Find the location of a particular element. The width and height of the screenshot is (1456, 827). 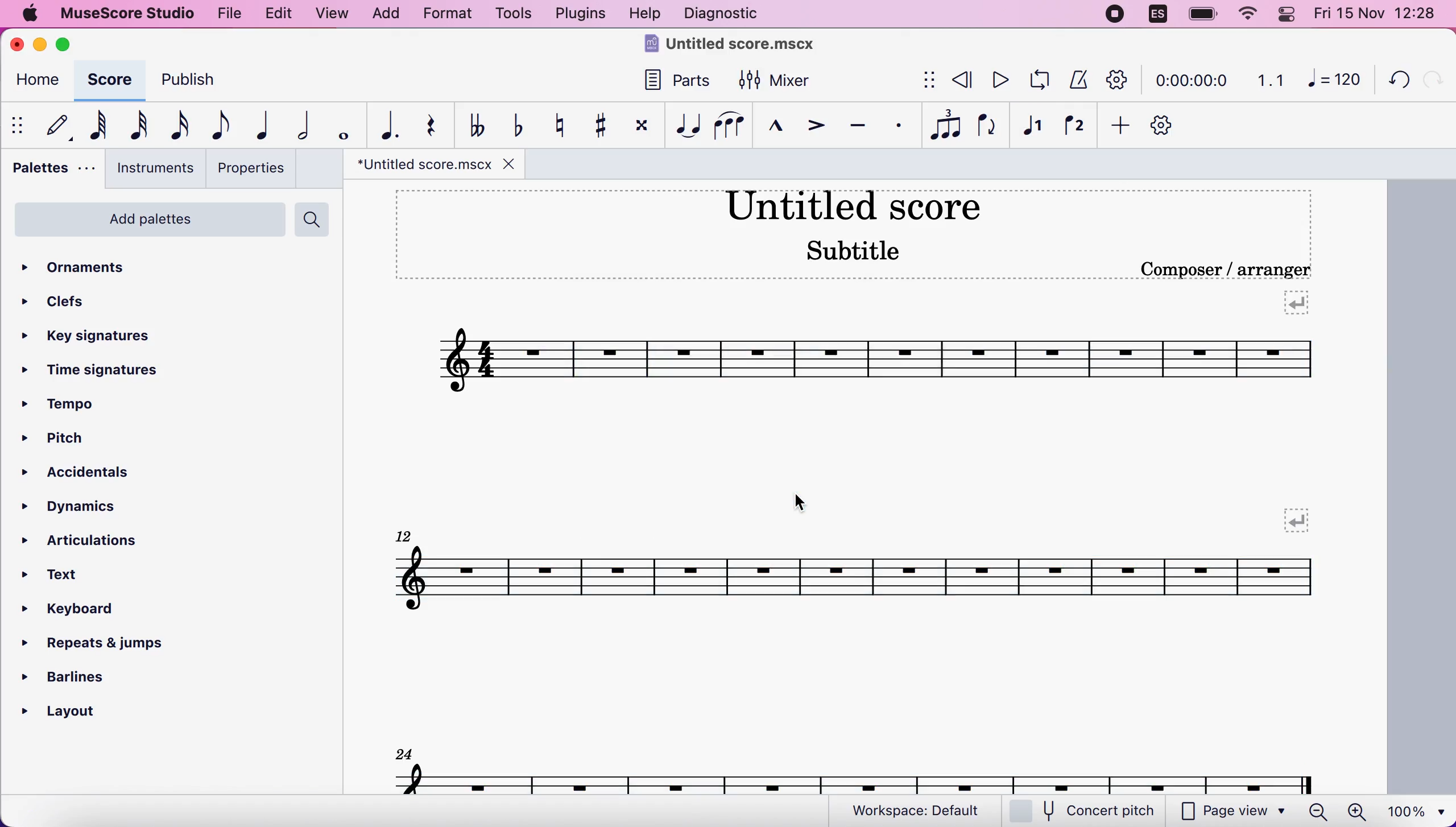

diagnostic is located at coordinates (725, 15).